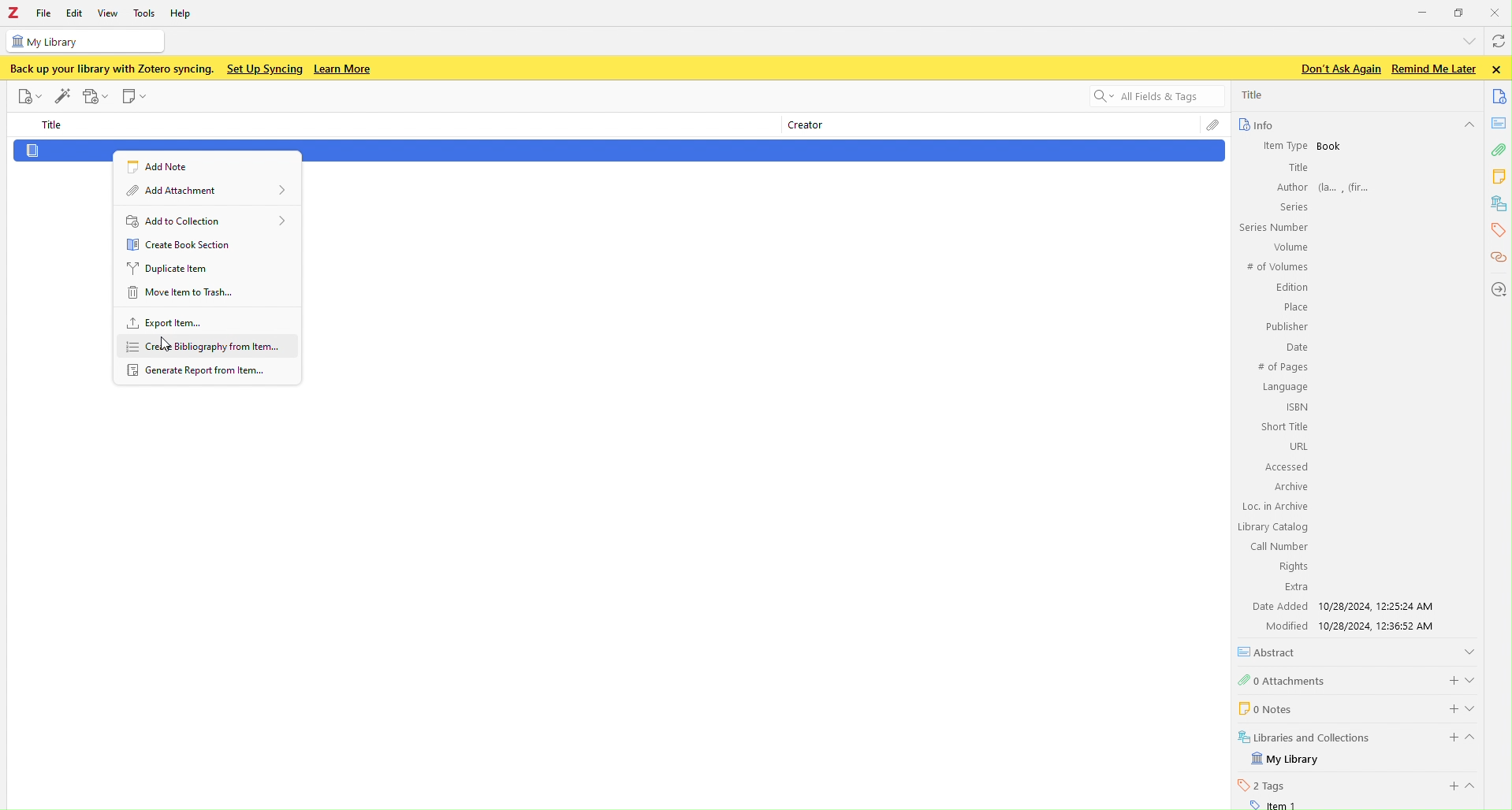 The width and height of the screenshot is (1512, 810). I want to click on ISBN, so click(1298, 407).